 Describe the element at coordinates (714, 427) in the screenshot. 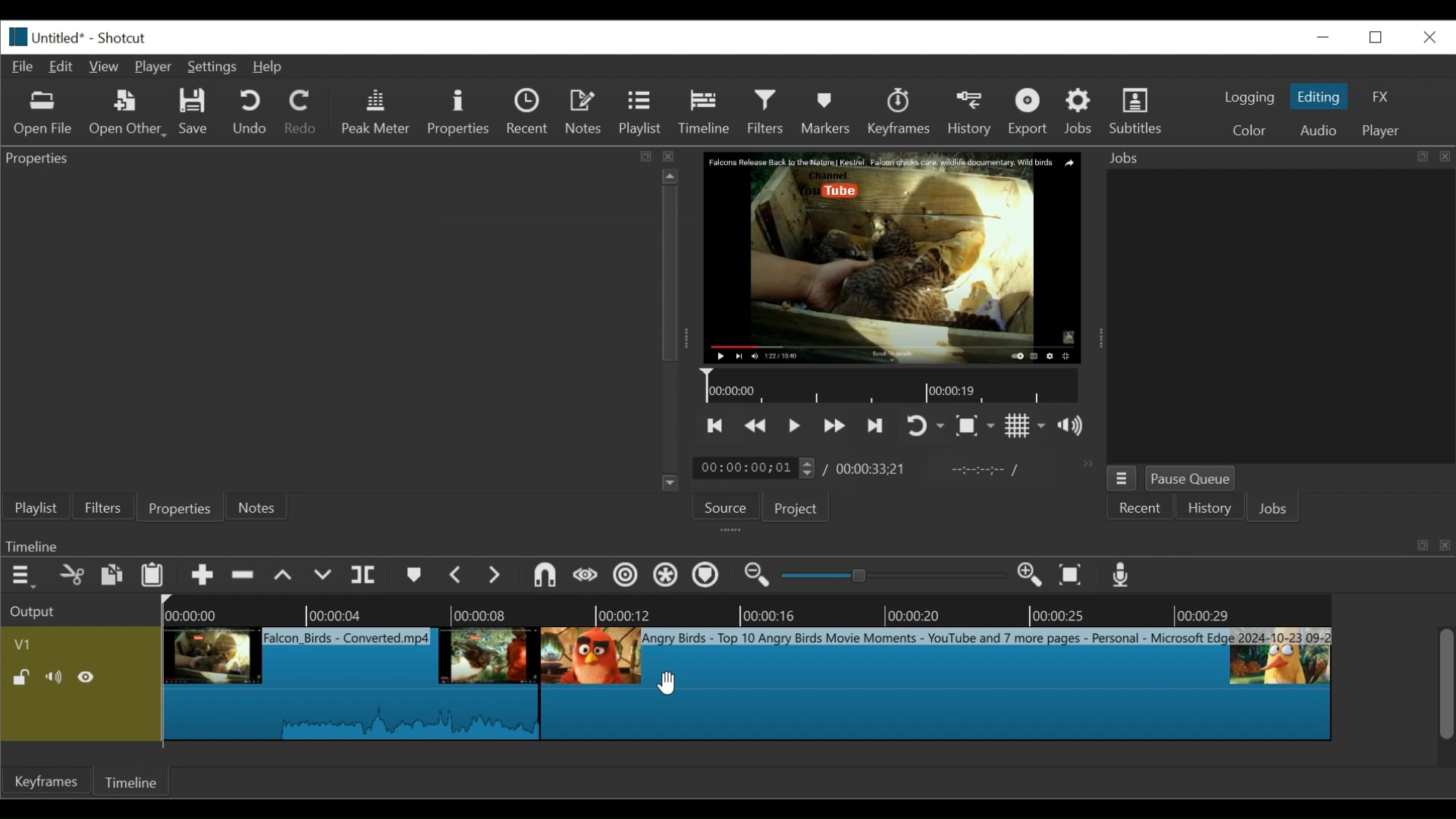

I see `Skip to the previous point` at that location.